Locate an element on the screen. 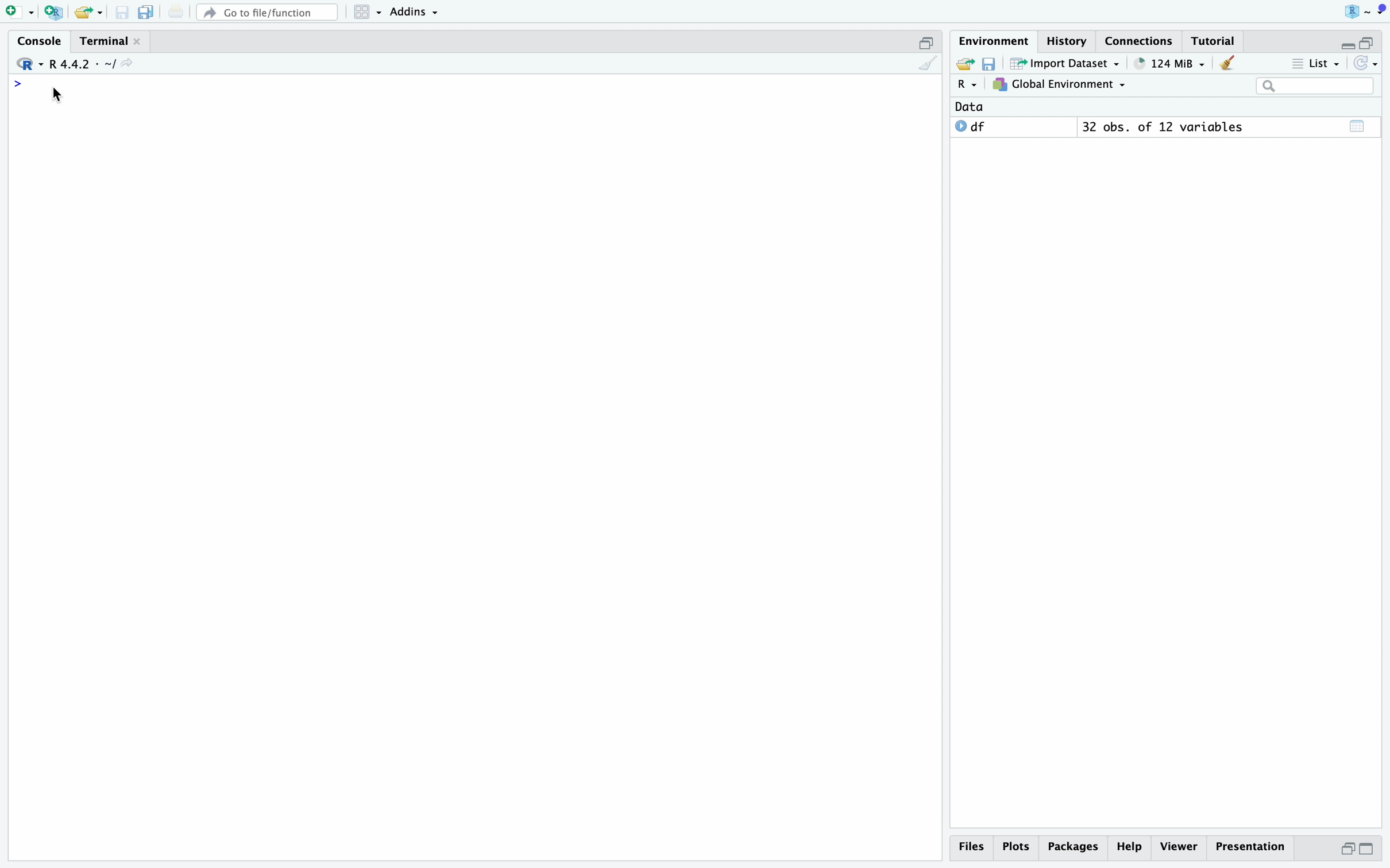  share icon is located at coordinates (127, 63).